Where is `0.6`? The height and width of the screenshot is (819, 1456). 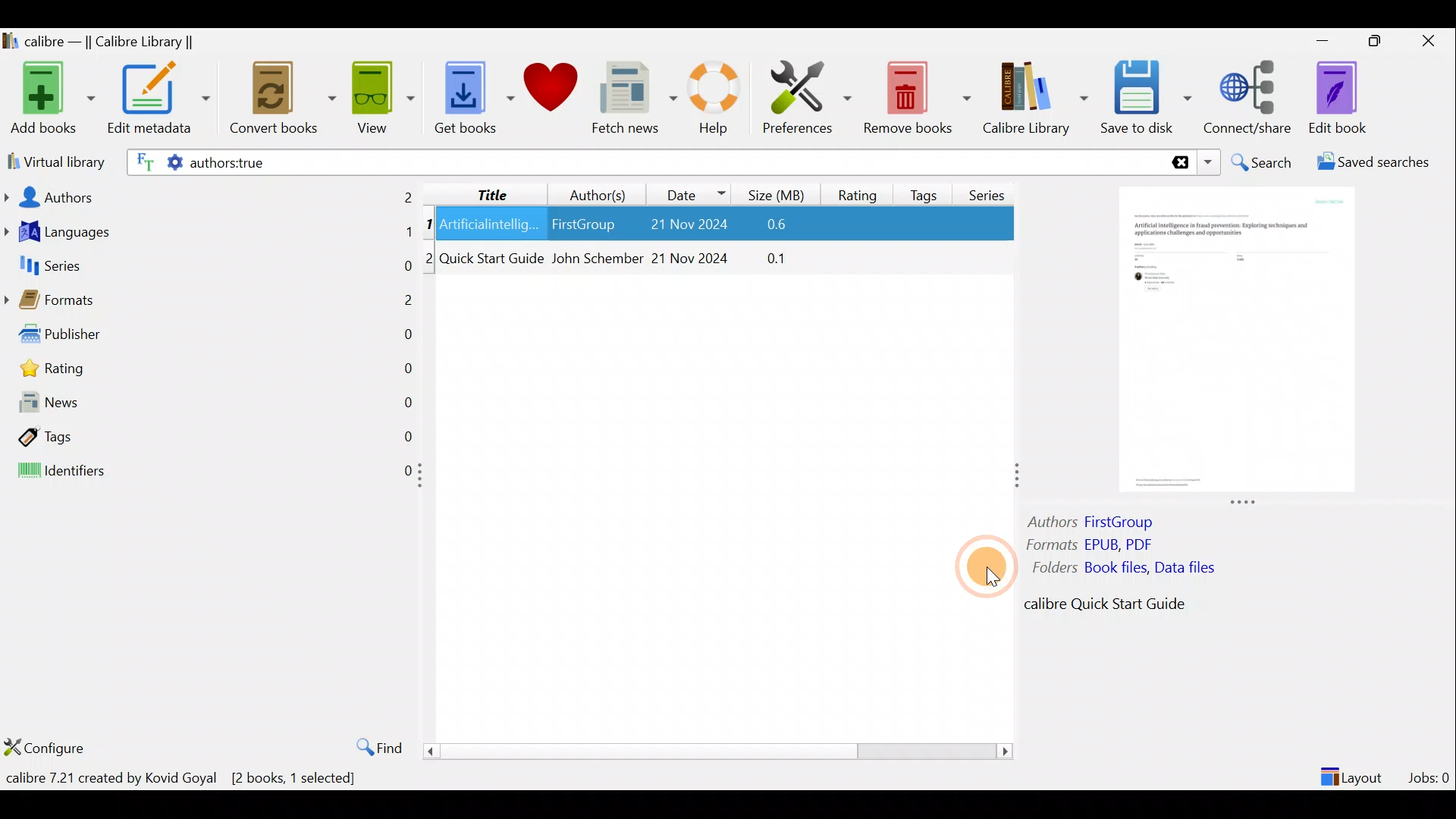
0.6 is located at coordinates (782, 225).